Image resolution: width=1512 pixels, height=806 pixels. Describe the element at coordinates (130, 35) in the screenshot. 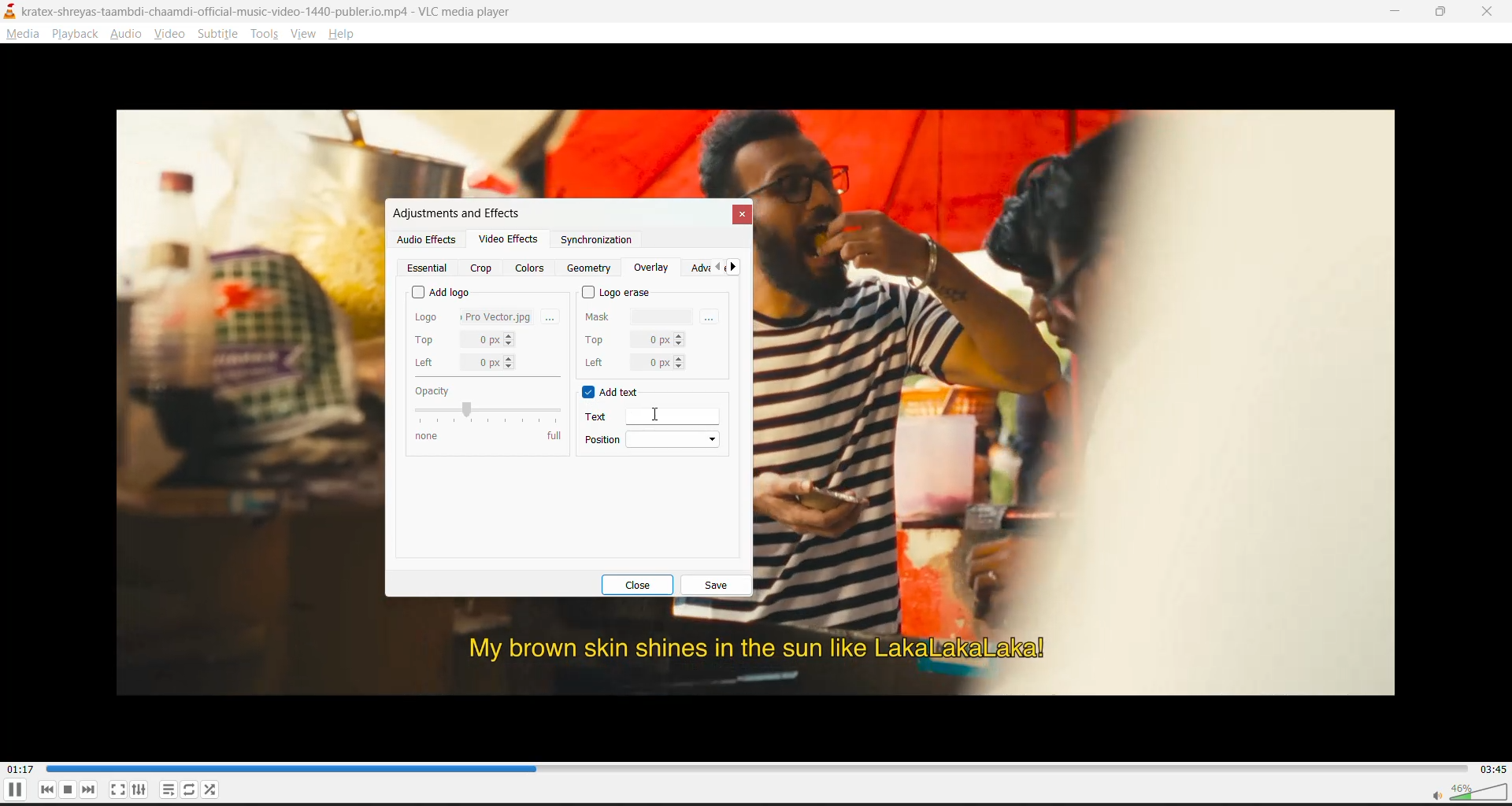

I see `audio` at that location.